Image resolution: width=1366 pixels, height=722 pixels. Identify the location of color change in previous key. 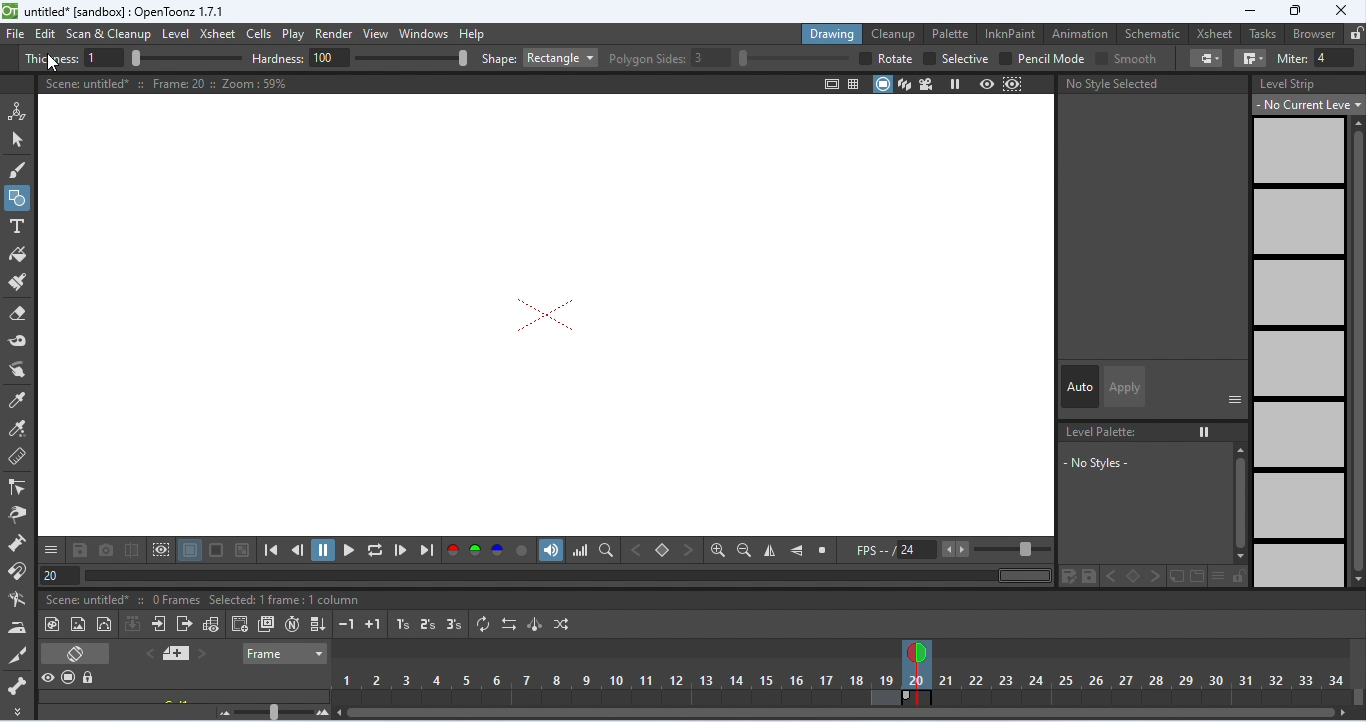
(1110, 576).